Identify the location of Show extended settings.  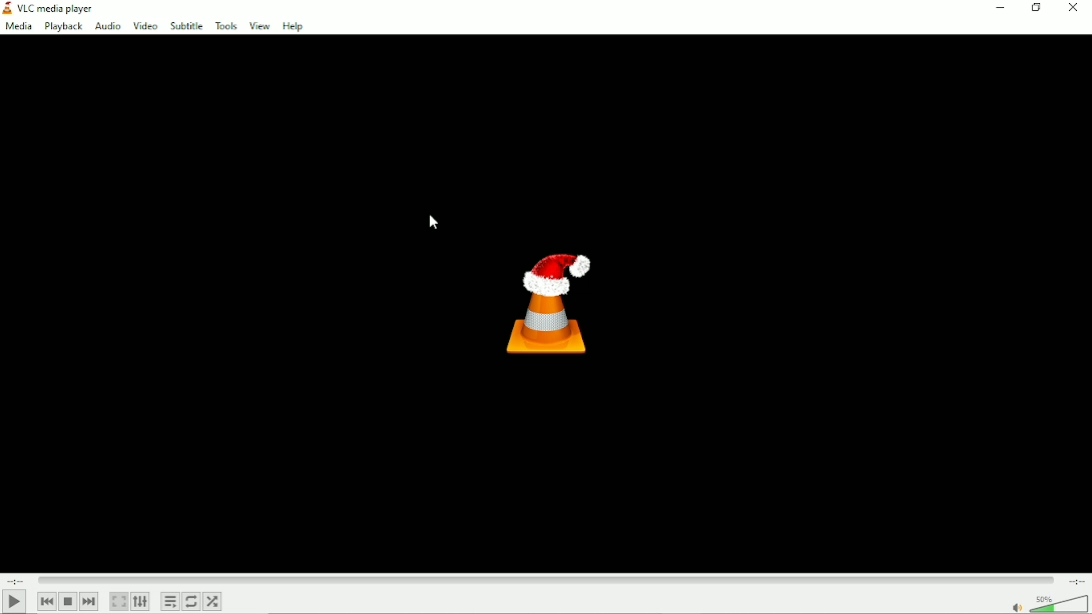
(140, 602).